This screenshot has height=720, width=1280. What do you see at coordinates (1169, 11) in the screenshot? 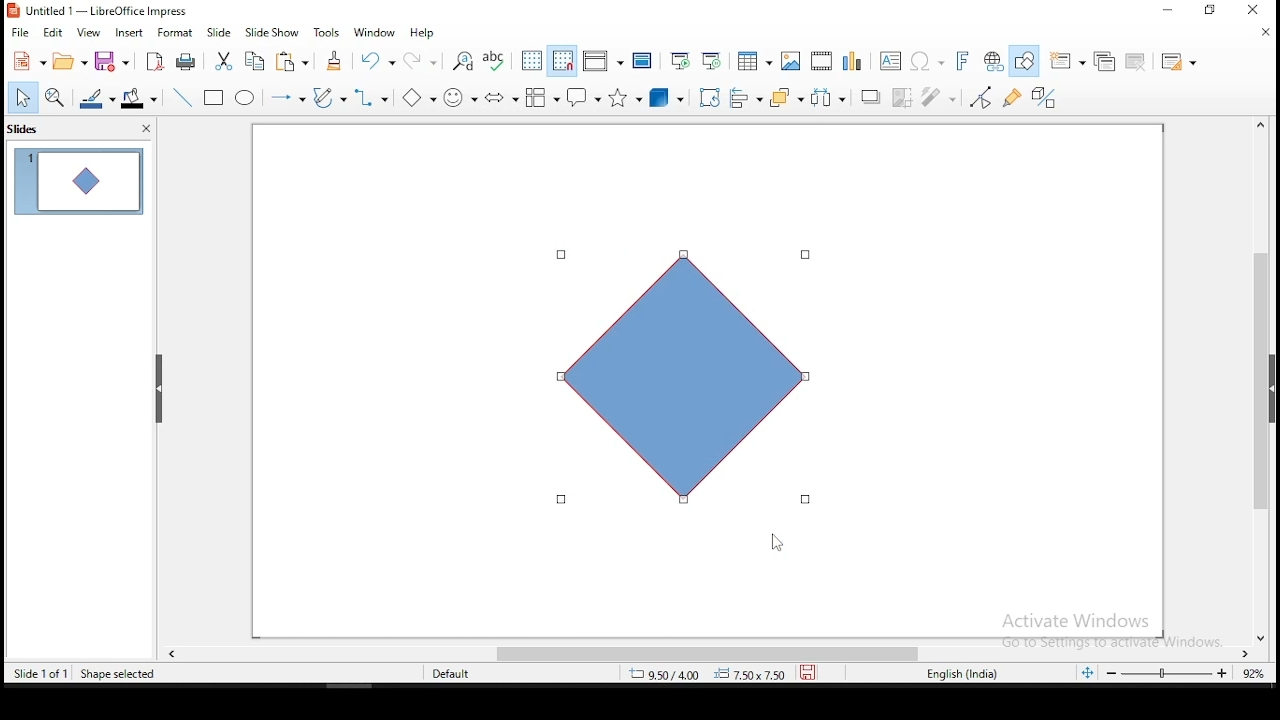
I see `minimize` at bounding box center [1169, 11].